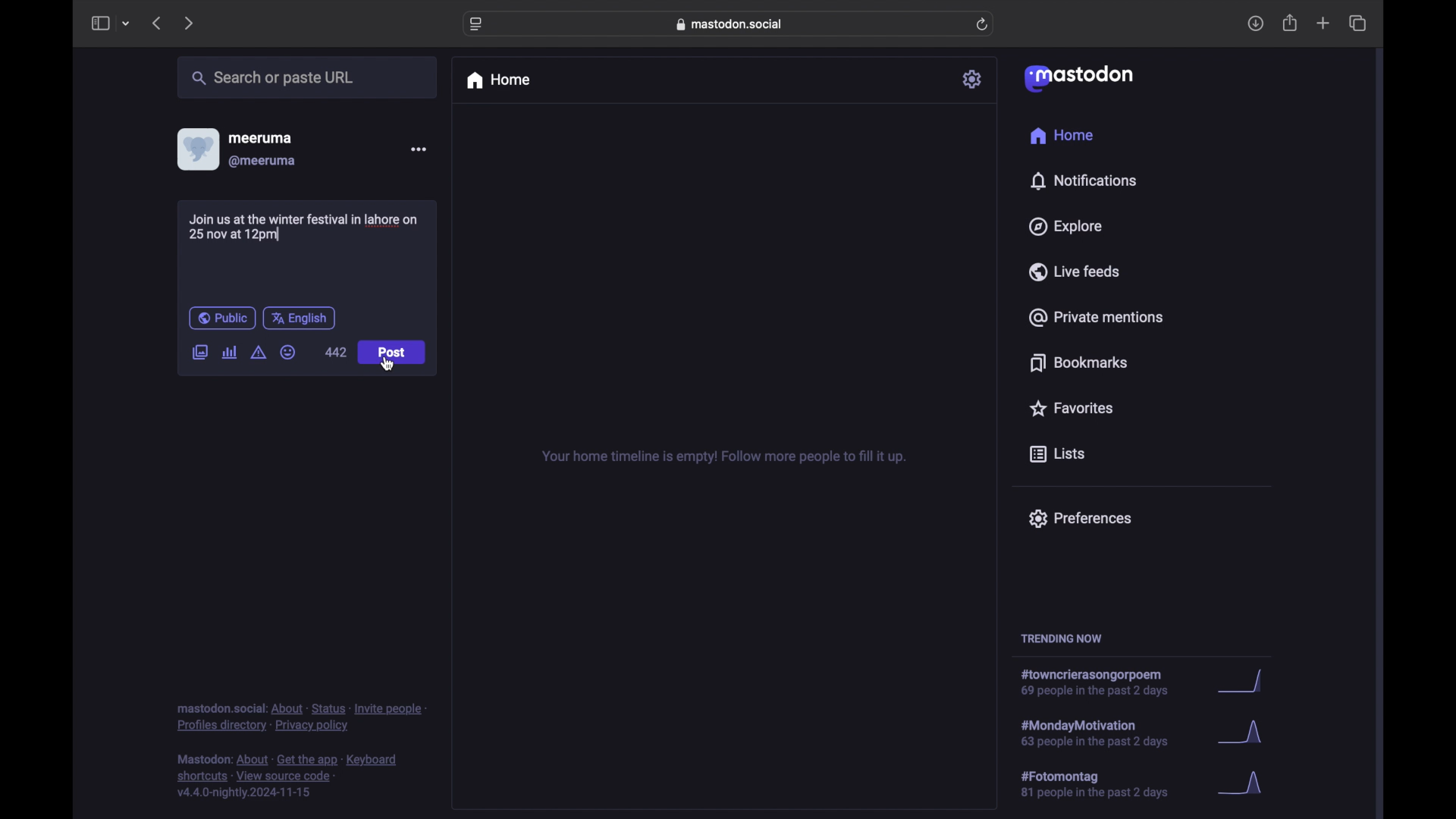 The image size is (1456, 819). I want to click on next, so click(190, 23).